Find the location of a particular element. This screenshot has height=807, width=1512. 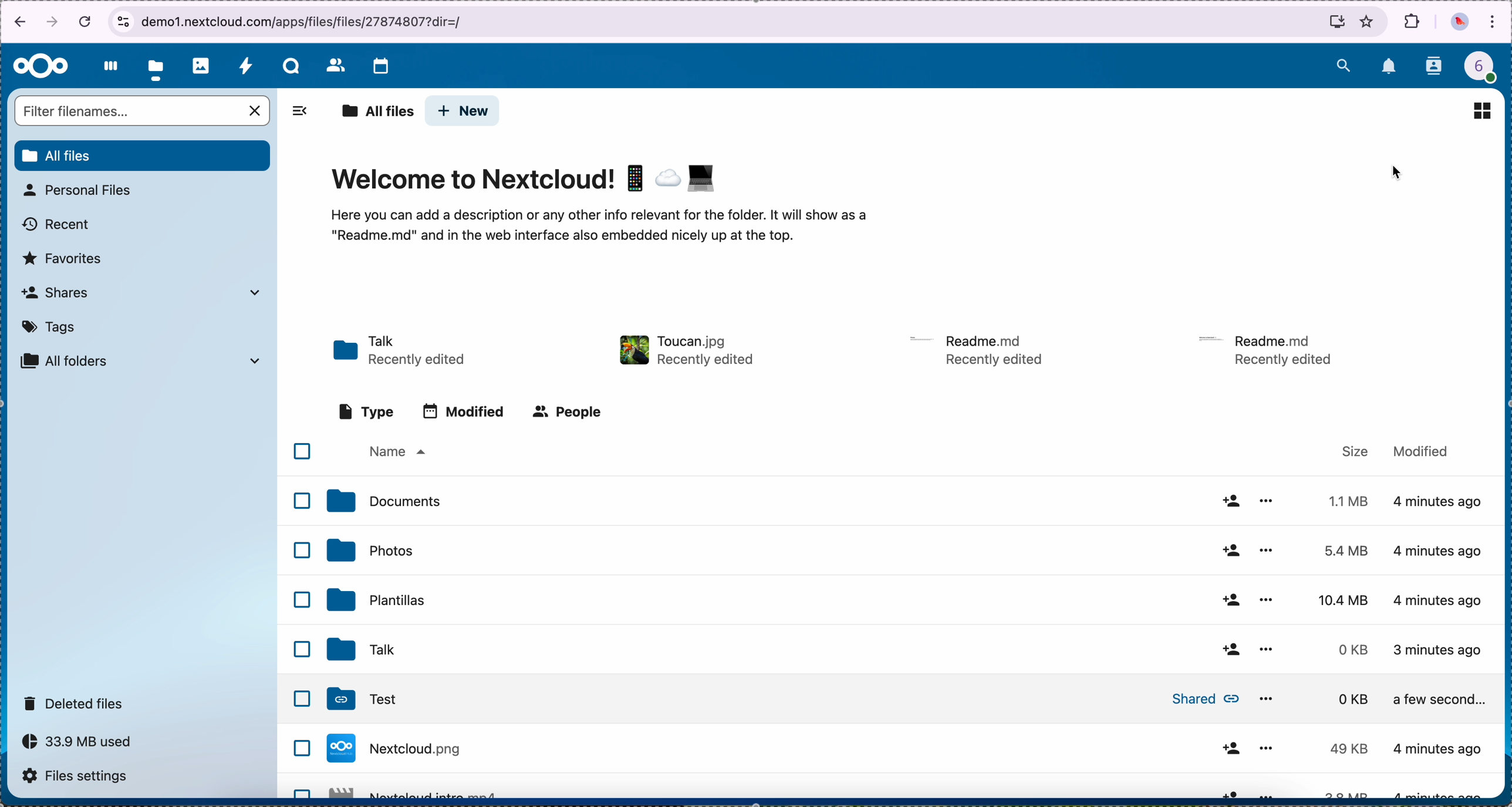

click on new button is located at coordinates (463, 112).